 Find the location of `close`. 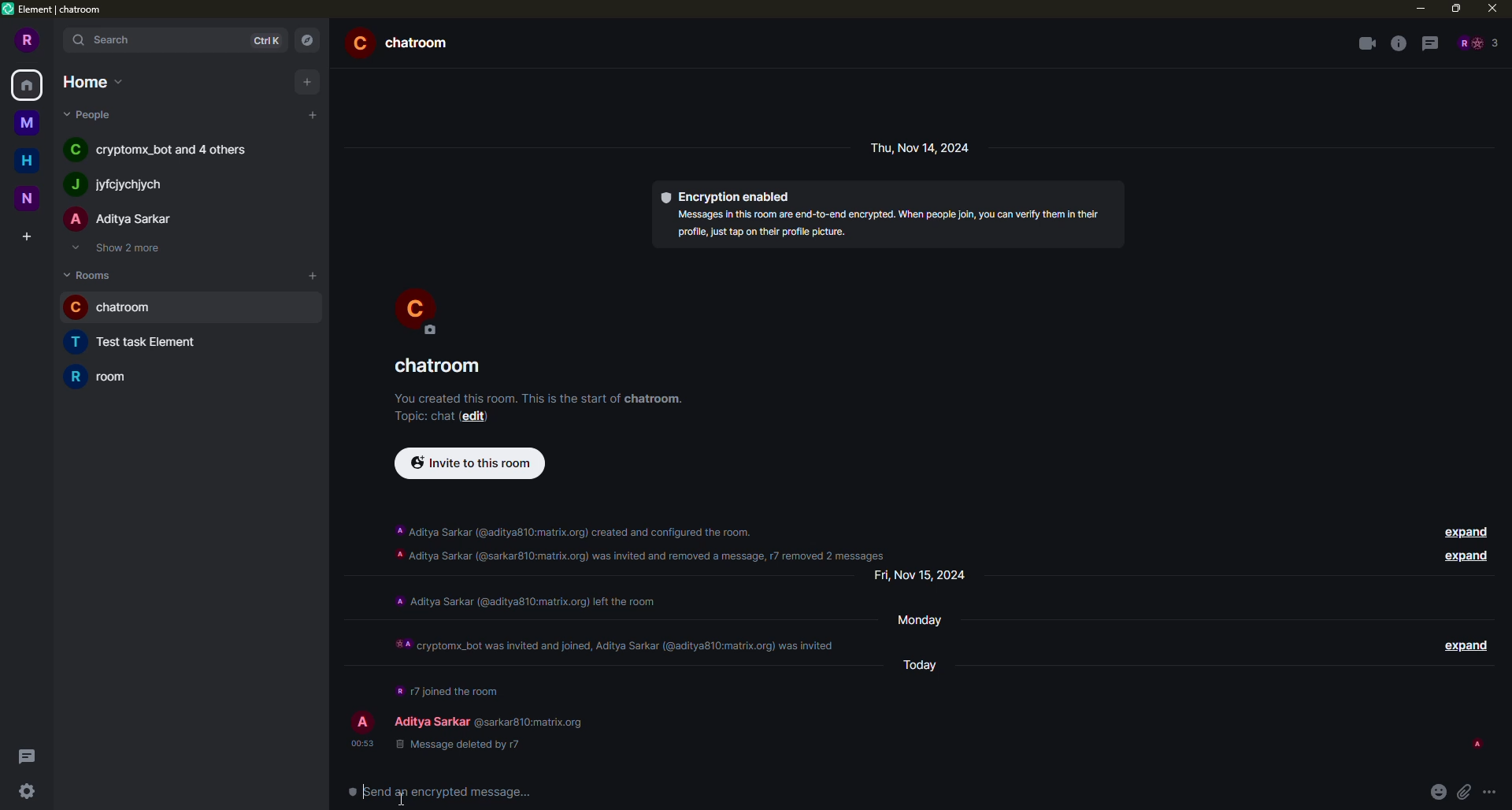

close is located at coordinates (1492, 8).